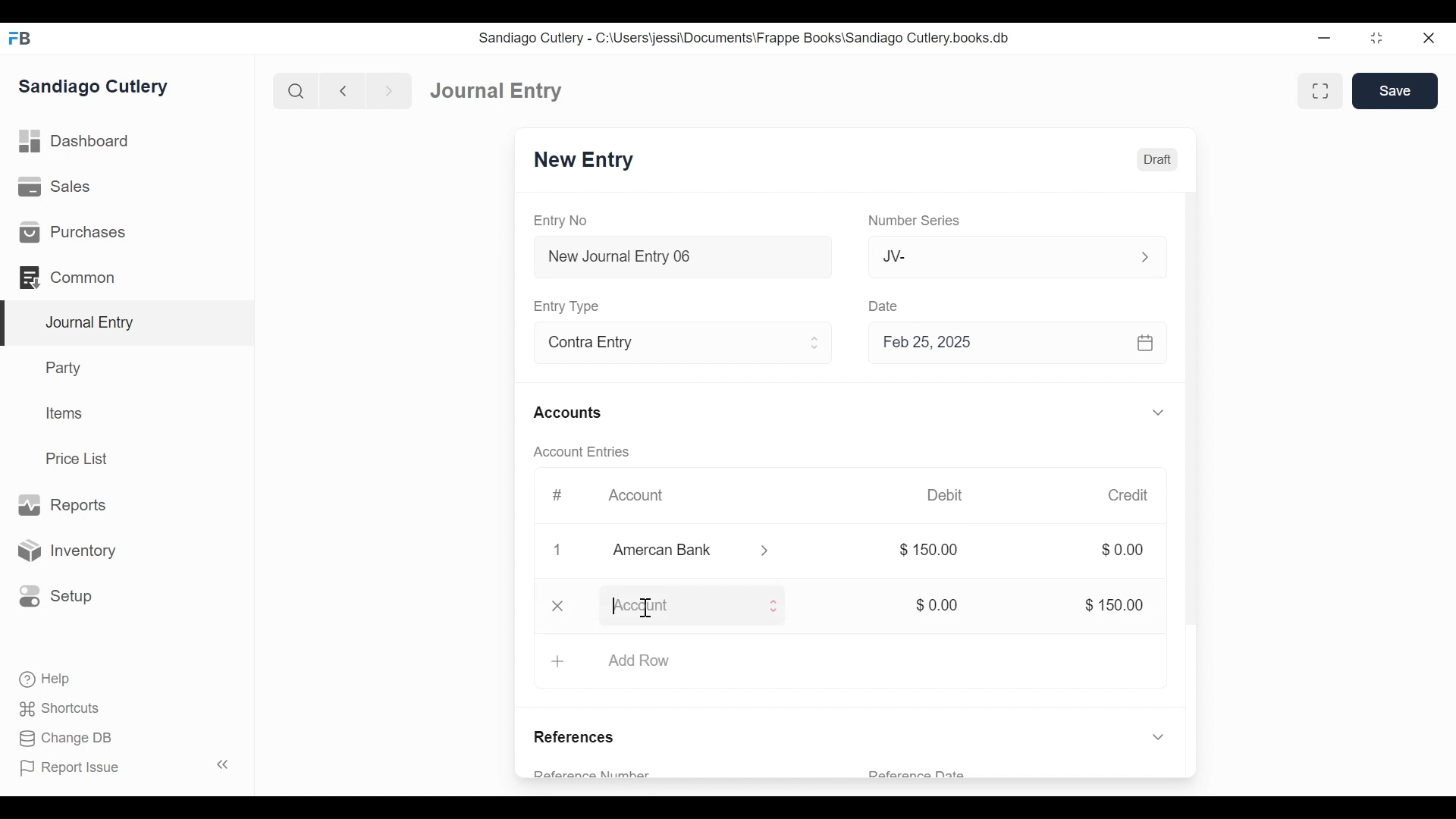 Image resolution: width=1456 pixels, height=819 pixels. Describe the element at coordinates (1325, 37) in the screenshot. I see `minimize` at that location.